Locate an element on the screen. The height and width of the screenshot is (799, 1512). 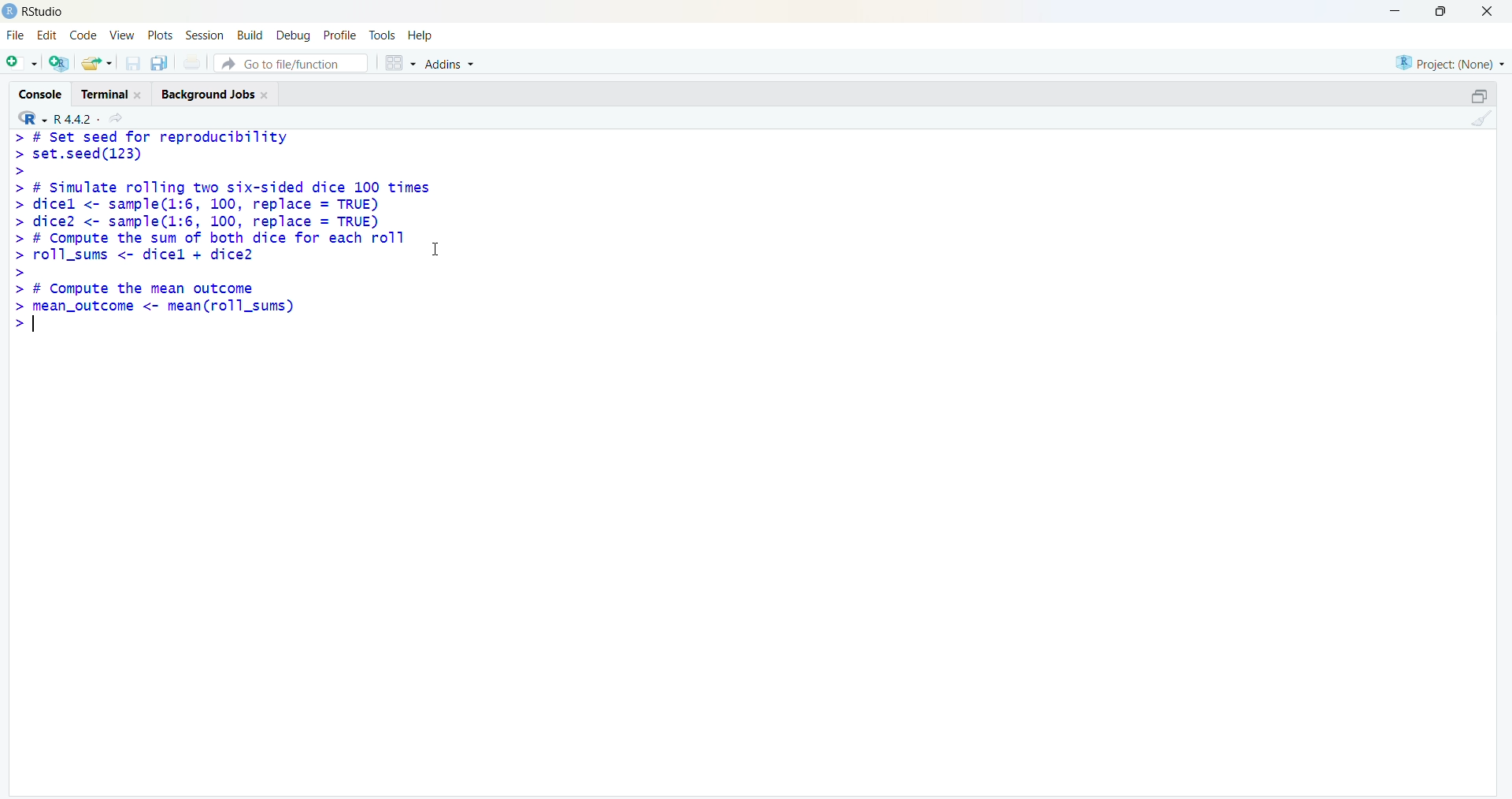
view is located at coordinates (122, 35).